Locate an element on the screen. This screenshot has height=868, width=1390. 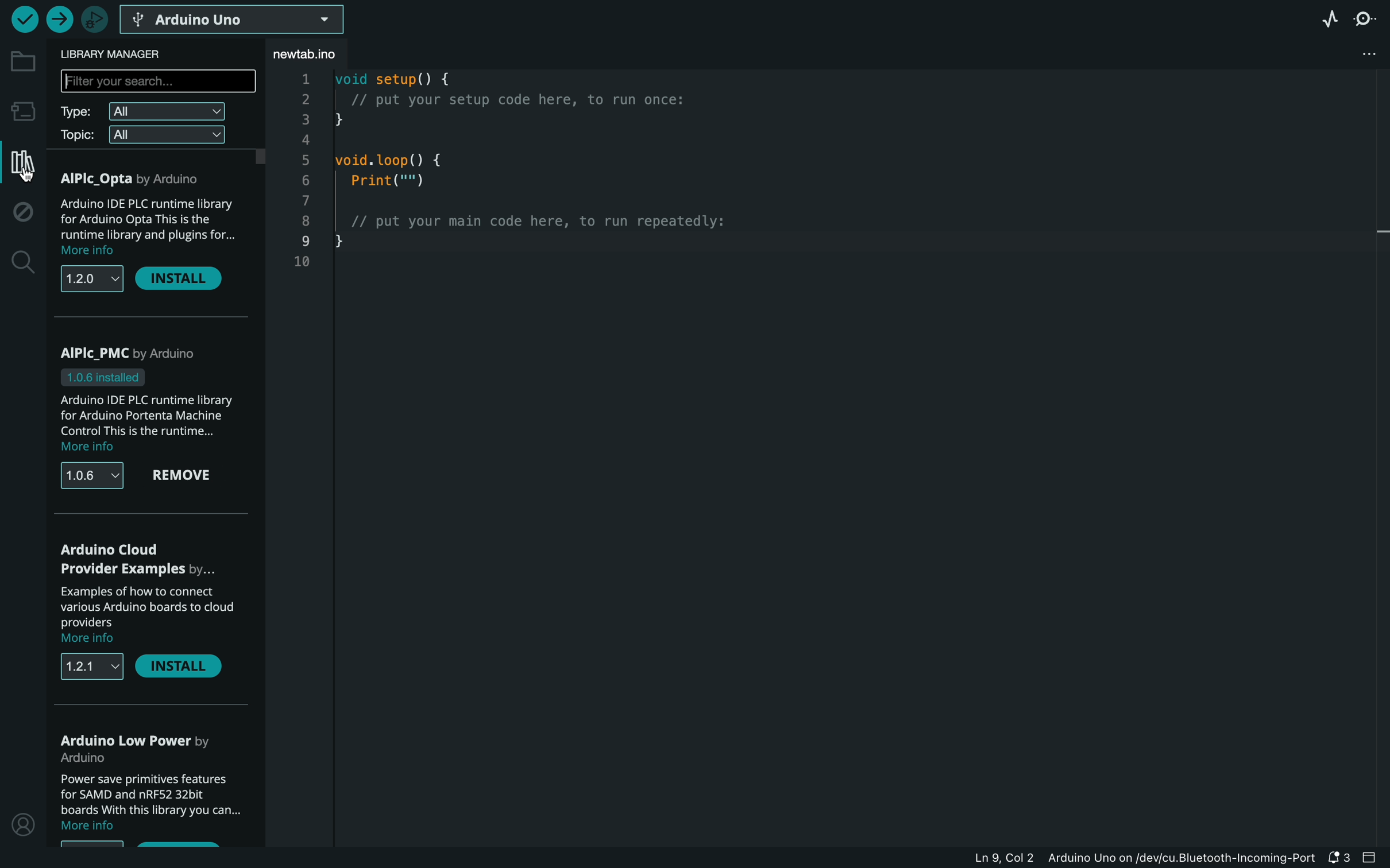
description is located at coordinates (150, 227).